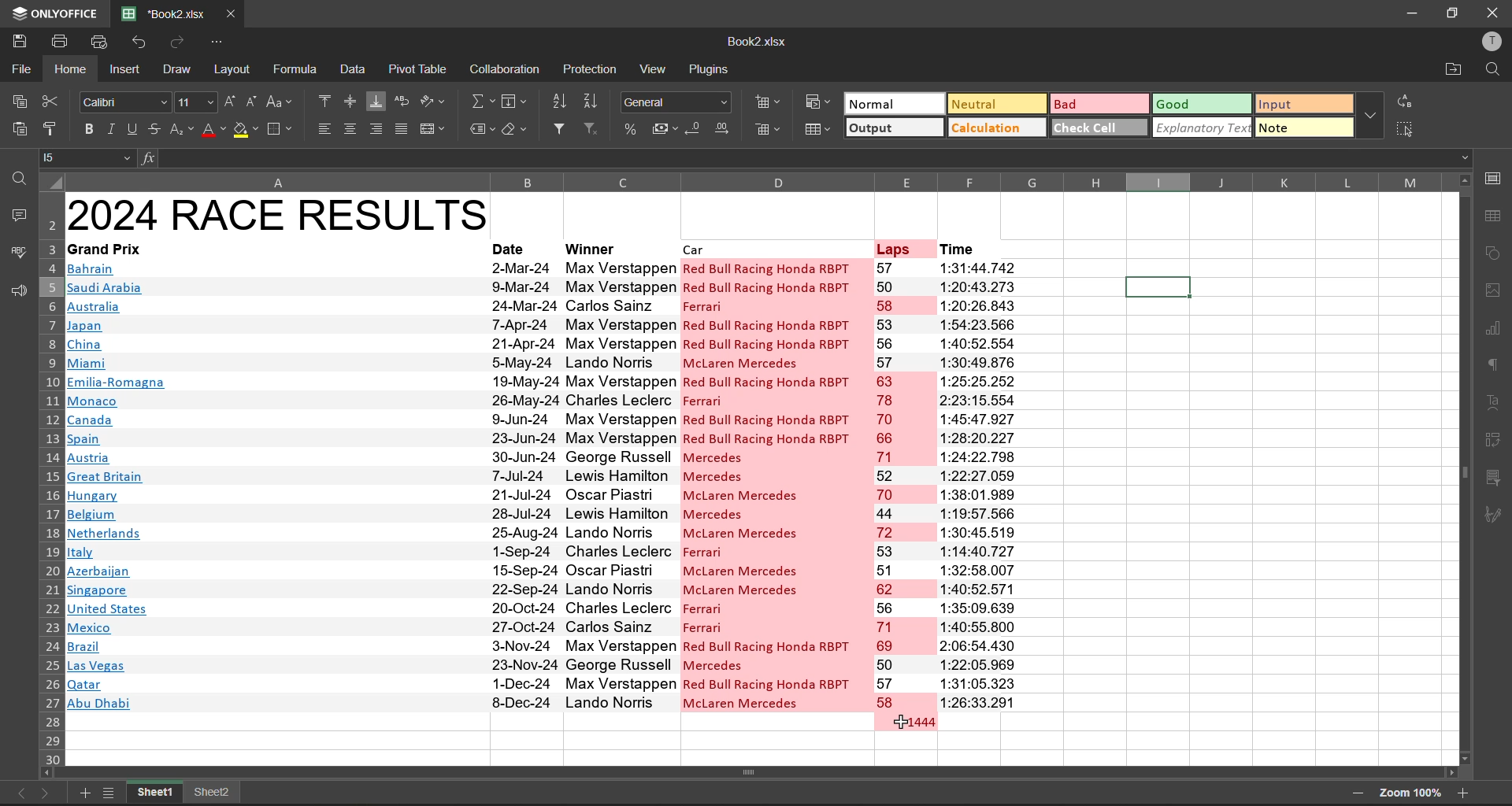  I want to click on wrap text, so click(406, 100).